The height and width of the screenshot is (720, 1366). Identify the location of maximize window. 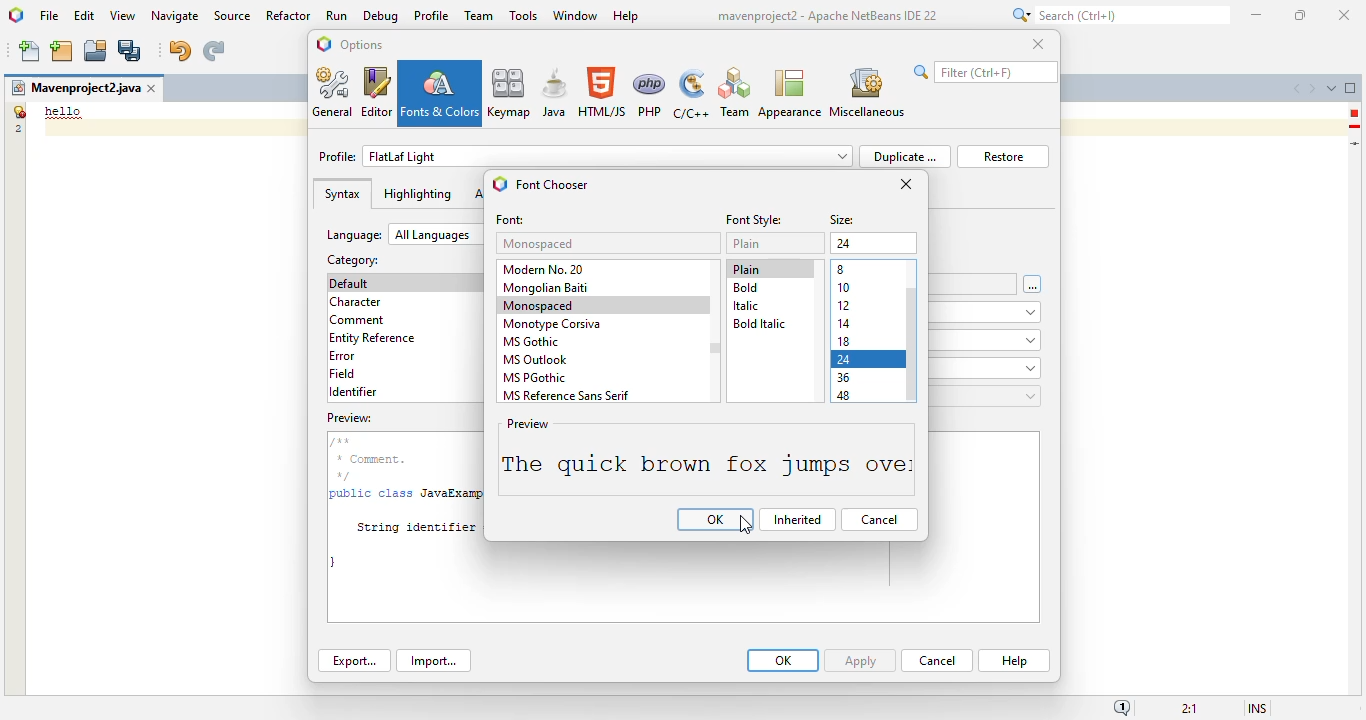
(1351, 87).